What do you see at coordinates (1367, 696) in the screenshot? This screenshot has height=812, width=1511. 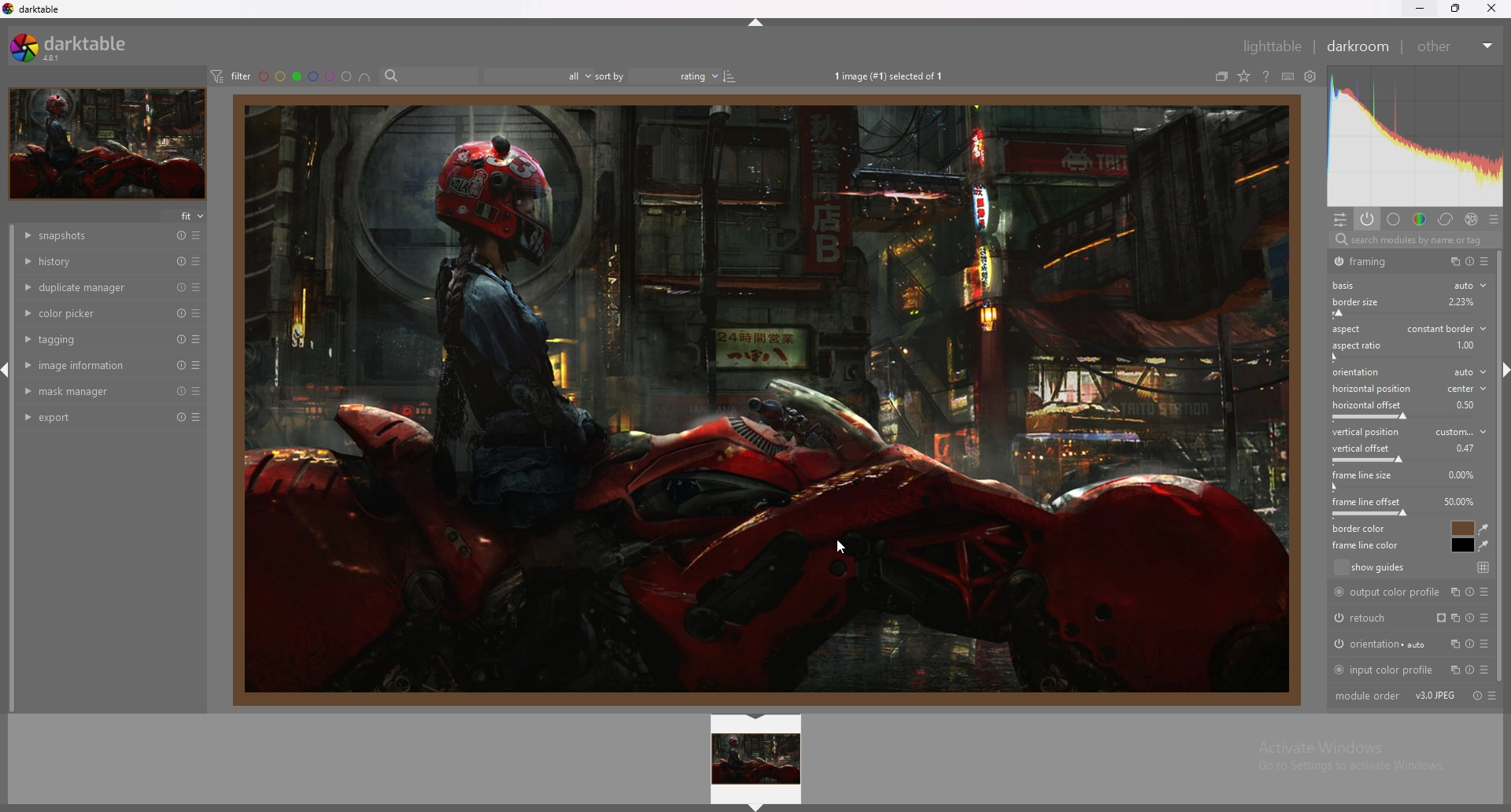 I see `module order` at bounding box center [1367, 696].